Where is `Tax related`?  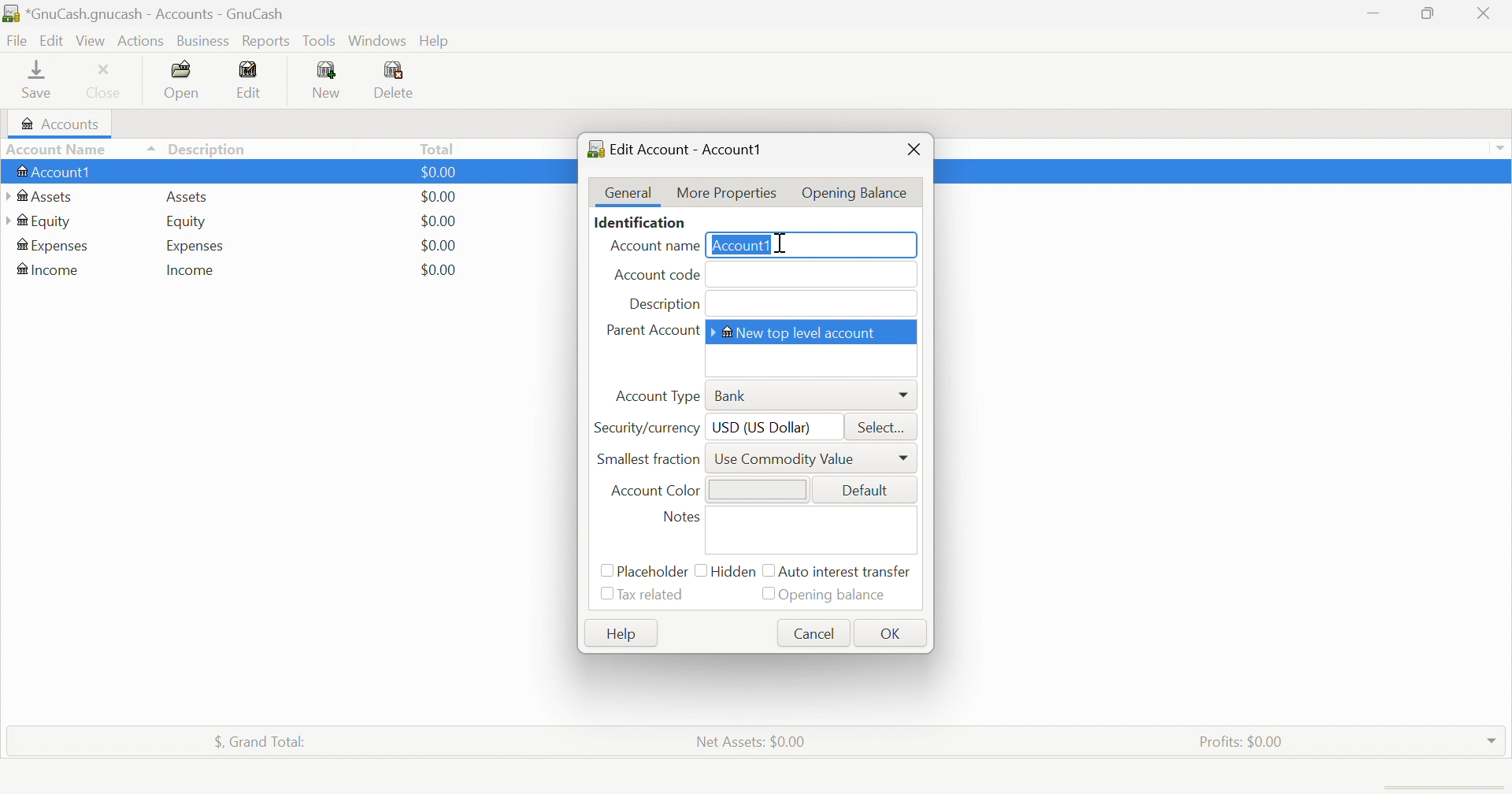
Tax related is located at coordinates (641, 595).